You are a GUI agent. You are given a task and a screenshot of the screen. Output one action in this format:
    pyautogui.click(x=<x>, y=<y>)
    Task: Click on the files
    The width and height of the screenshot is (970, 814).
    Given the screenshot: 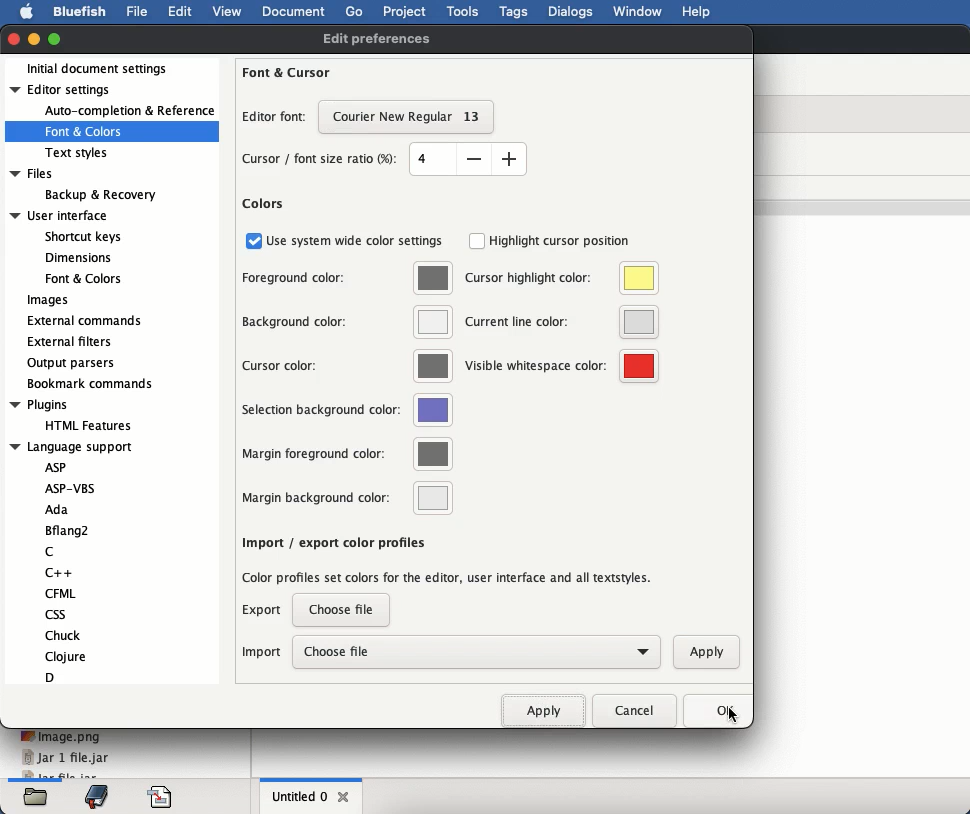 What is the action you would take?
    pyautogui.click(x=84, y=185)
    